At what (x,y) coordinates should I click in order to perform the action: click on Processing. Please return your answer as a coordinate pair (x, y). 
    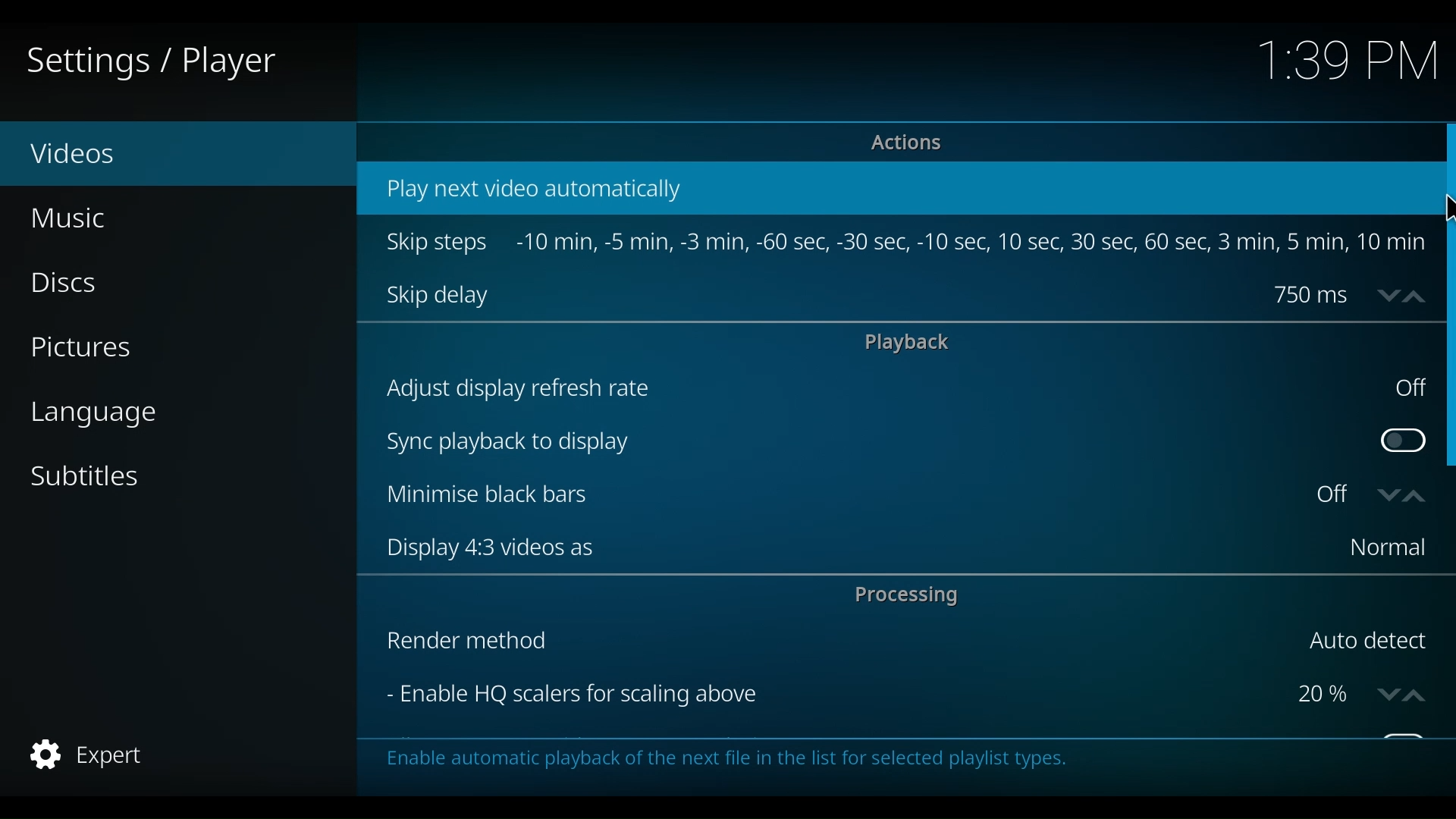
    Looking at the image, I should click on (914, 598).